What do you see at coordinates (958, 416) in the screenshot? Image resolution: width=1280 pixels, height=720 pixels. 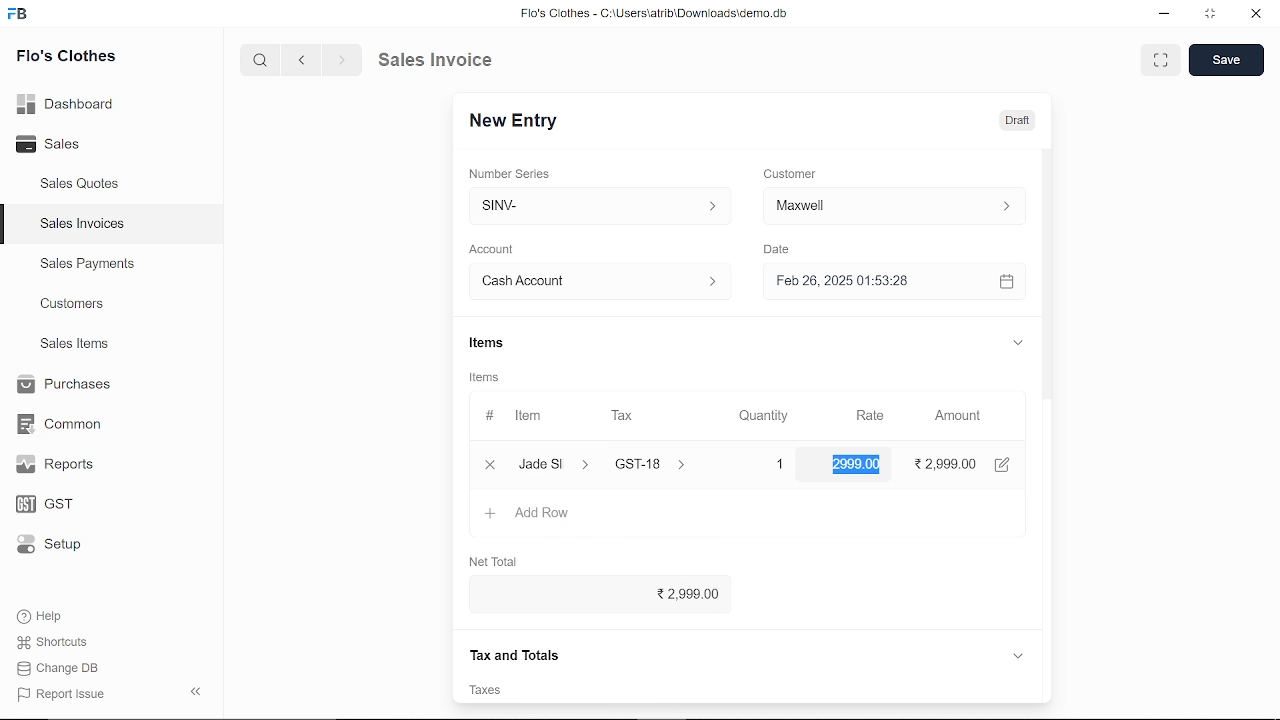 I see `Amount` at bounding box center [958, 416].